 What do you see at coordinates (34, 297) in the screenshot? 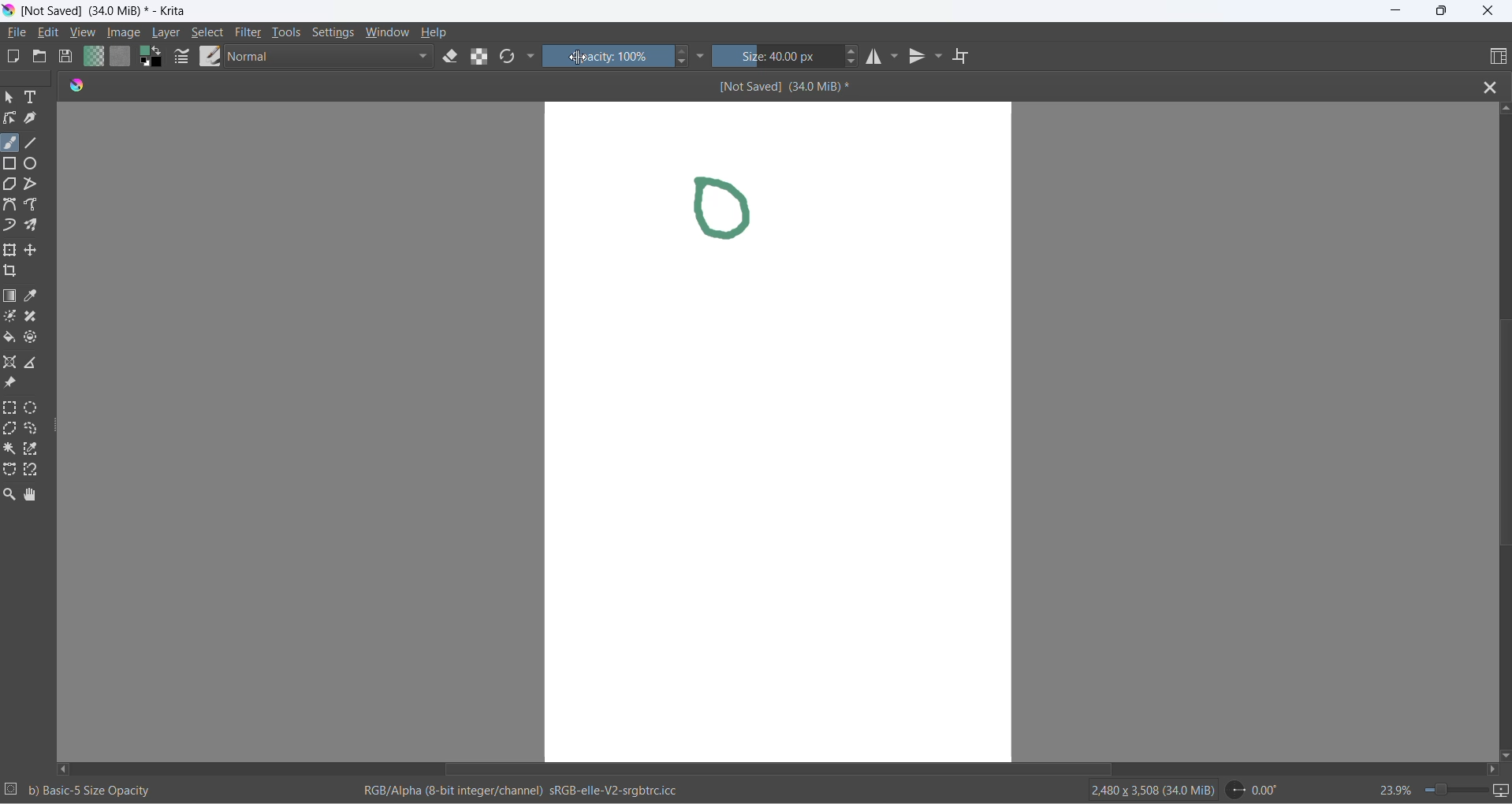
I see `sample a color from image` at bounding box center [34, 297].